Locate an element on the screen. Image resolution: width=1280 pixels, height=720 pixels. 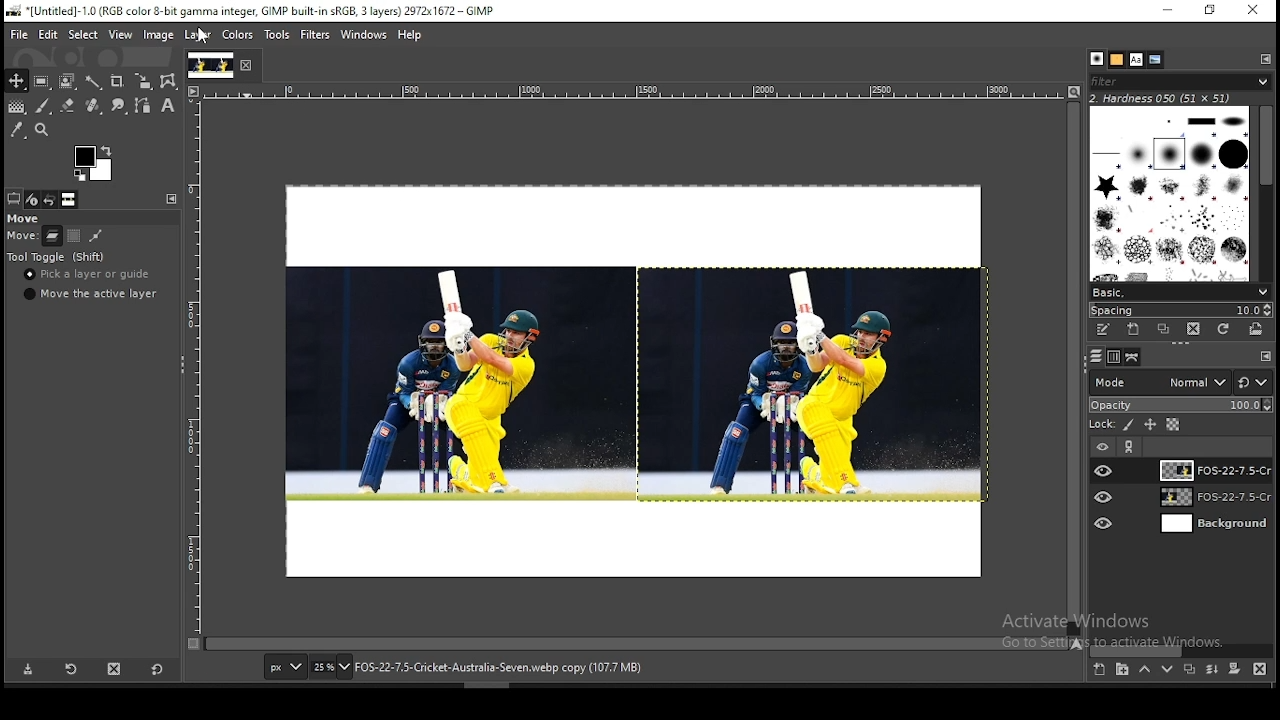
close is located at coordinates (247, 66).